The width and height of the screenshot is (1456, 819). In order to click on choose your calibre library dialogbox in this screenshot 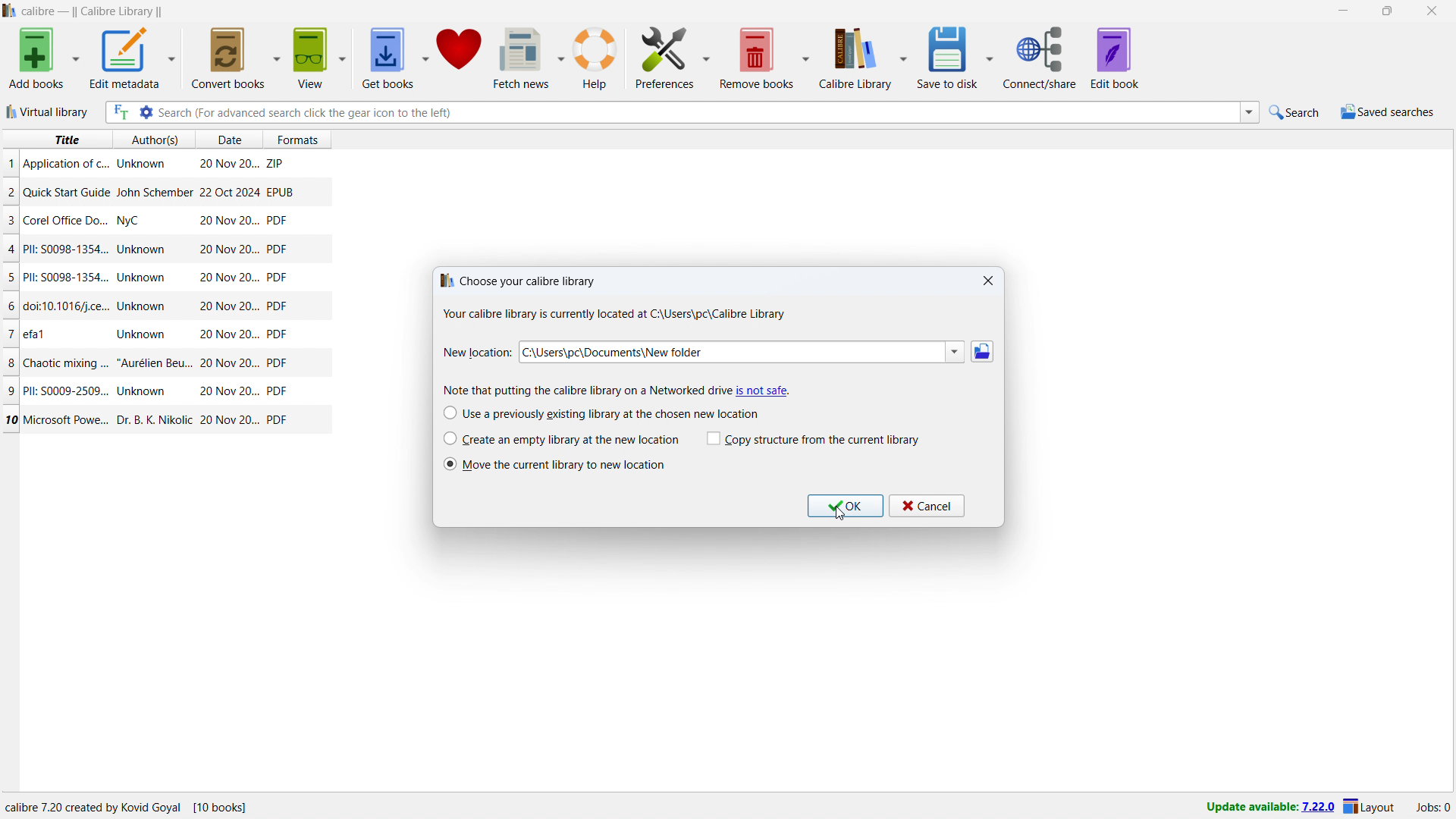, I will do `click(611, 299)`.